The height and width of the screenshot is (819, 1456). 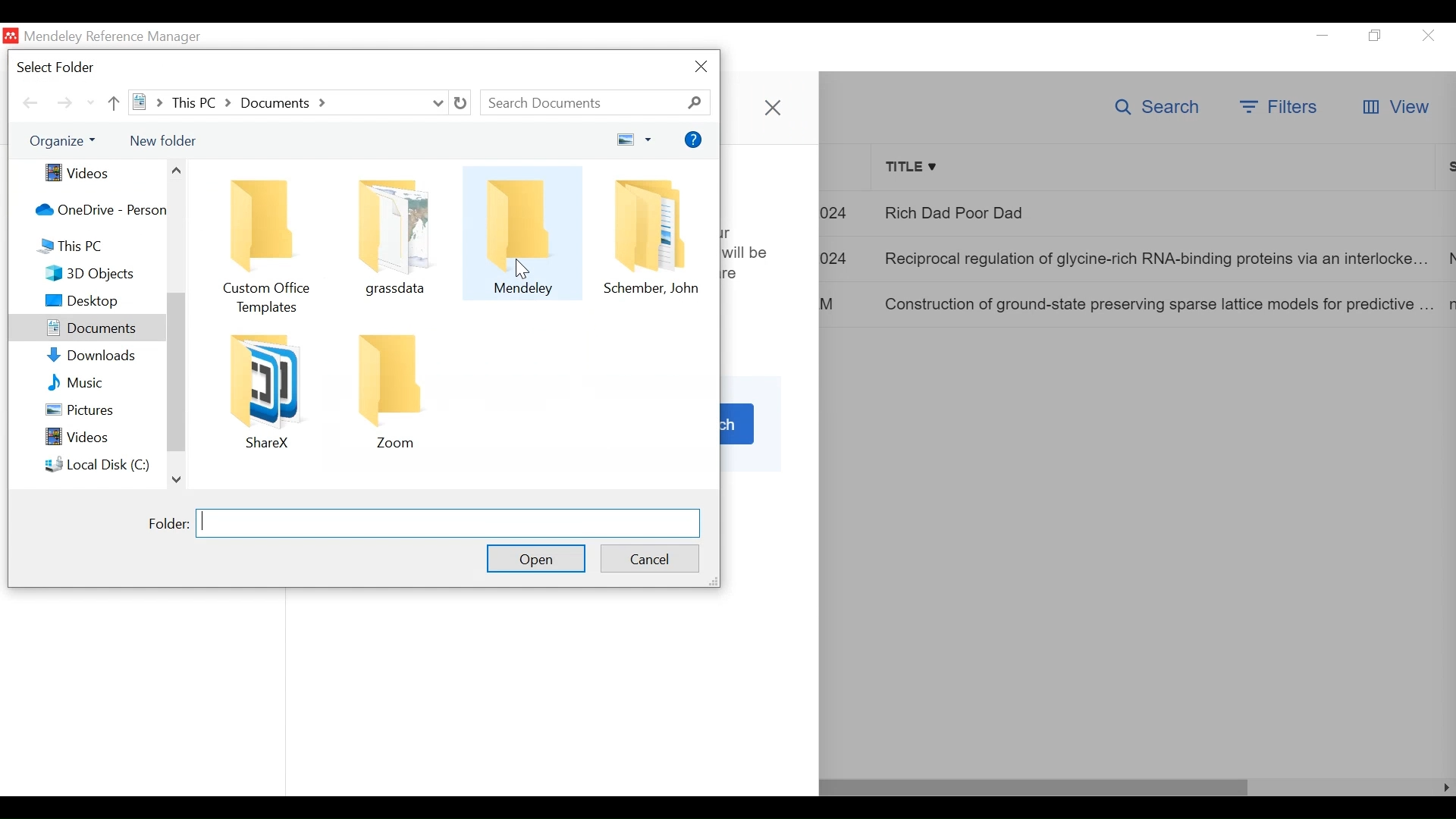 I want to click on Folder, so click(x=168, y=522).